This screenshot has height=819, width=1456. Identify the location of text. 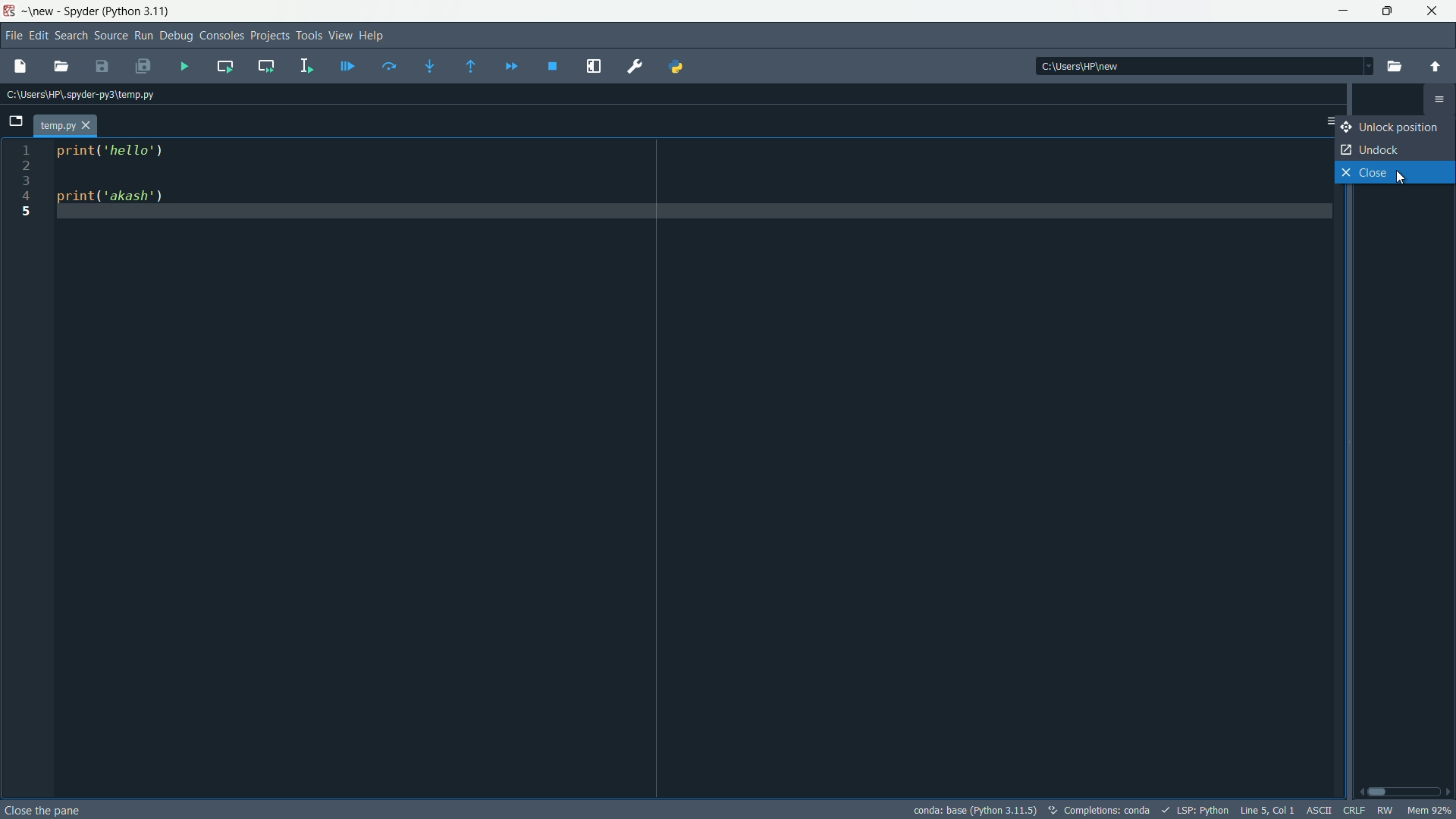
(1097, 810).